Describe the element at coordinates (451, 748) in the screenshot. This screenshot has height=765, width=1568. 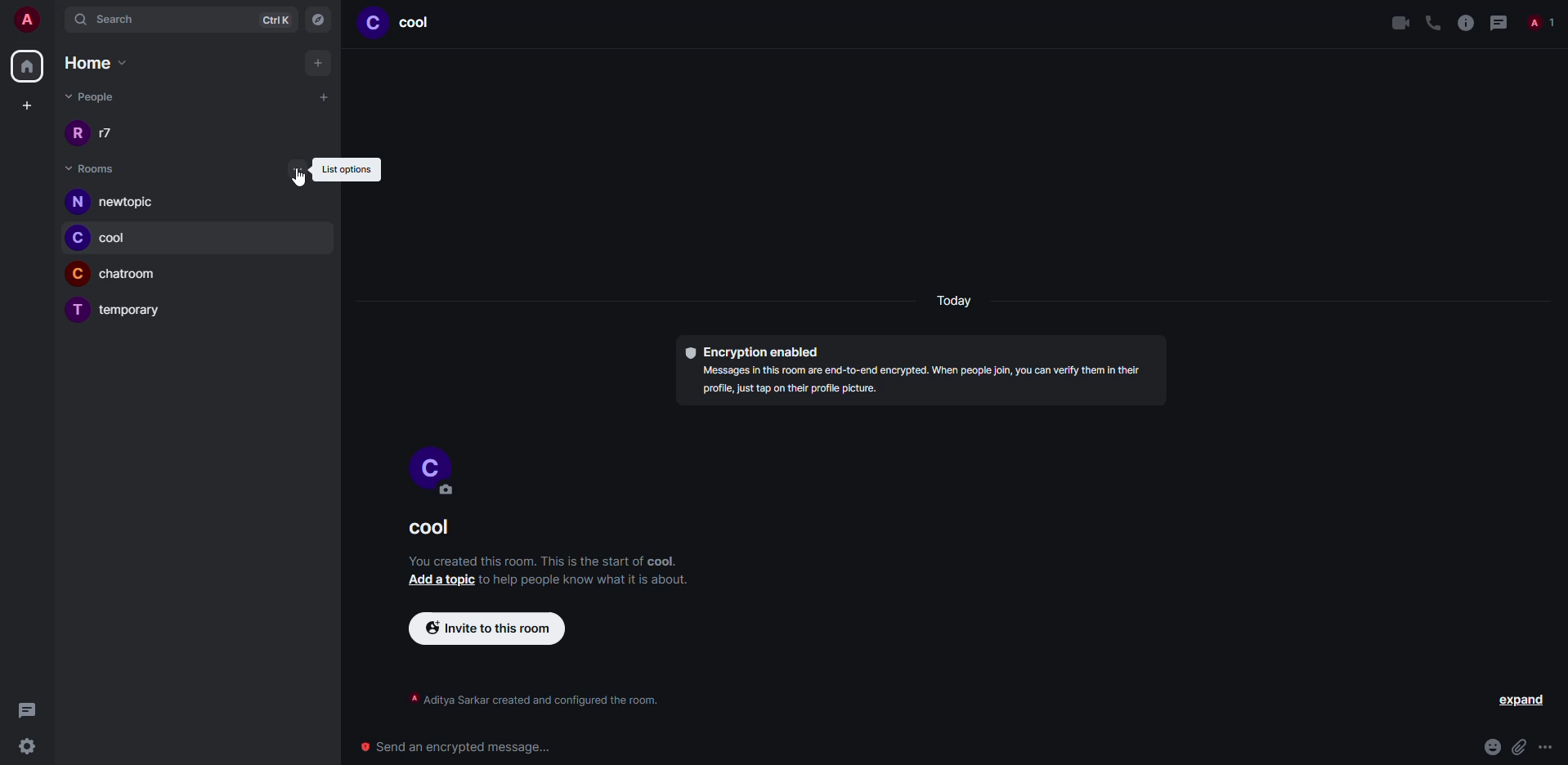
I see `send encrypted message` at that location.